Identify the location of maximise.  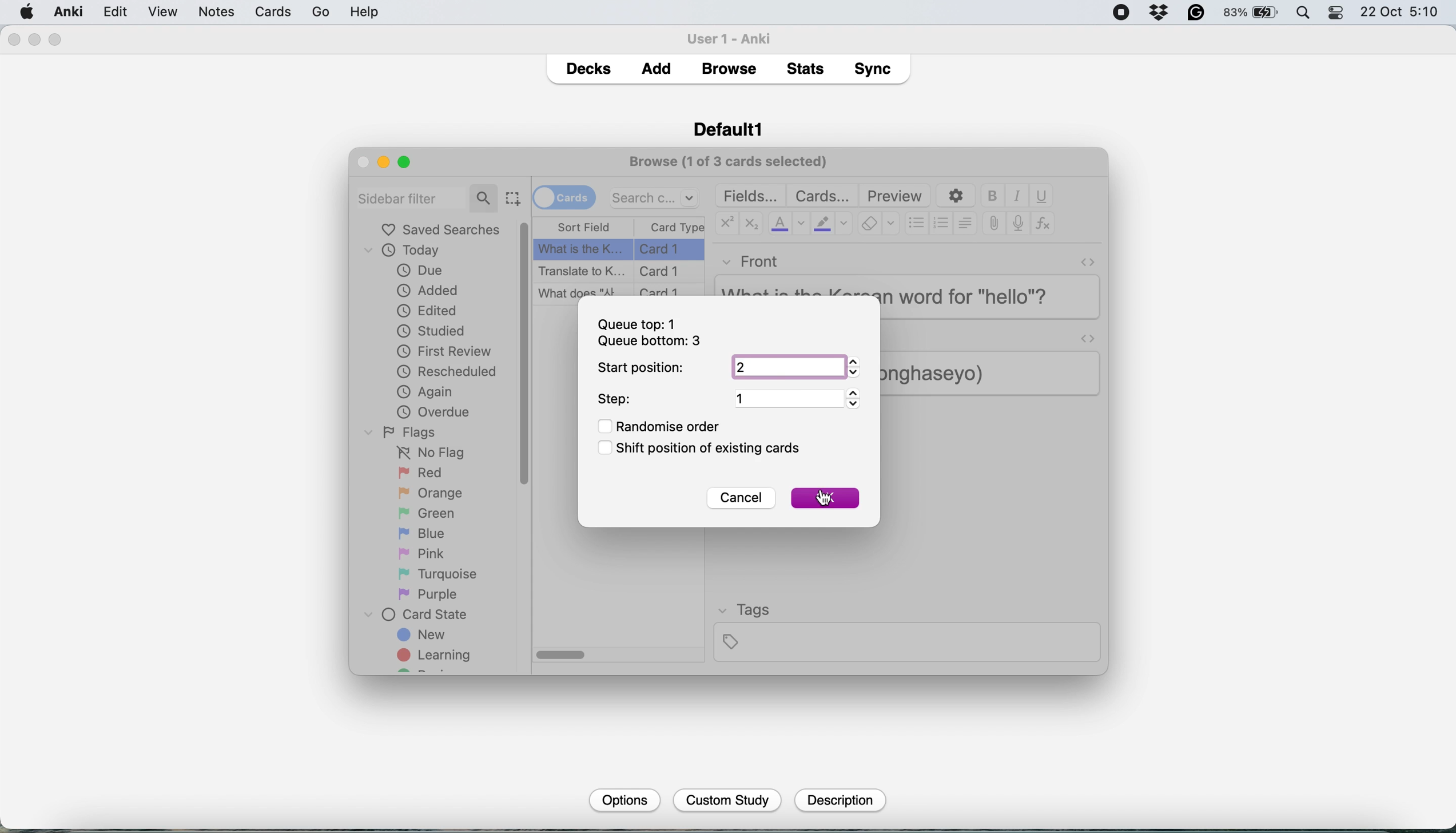
(409, 161).